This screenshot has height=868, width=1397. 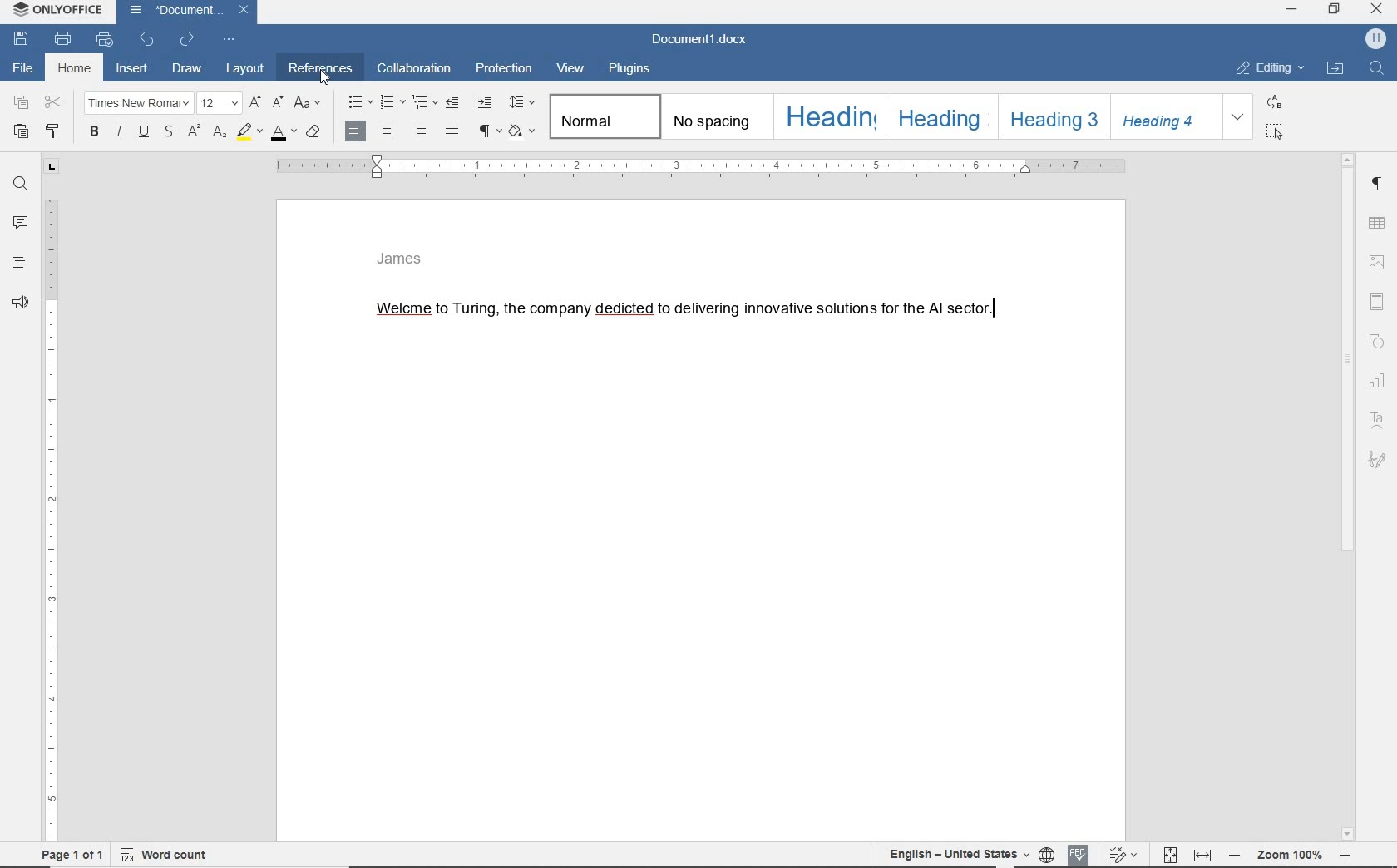 What do you see at coordinates (506, 70) in the screenshot?
I see `protection` at bounding box center [506, 70].